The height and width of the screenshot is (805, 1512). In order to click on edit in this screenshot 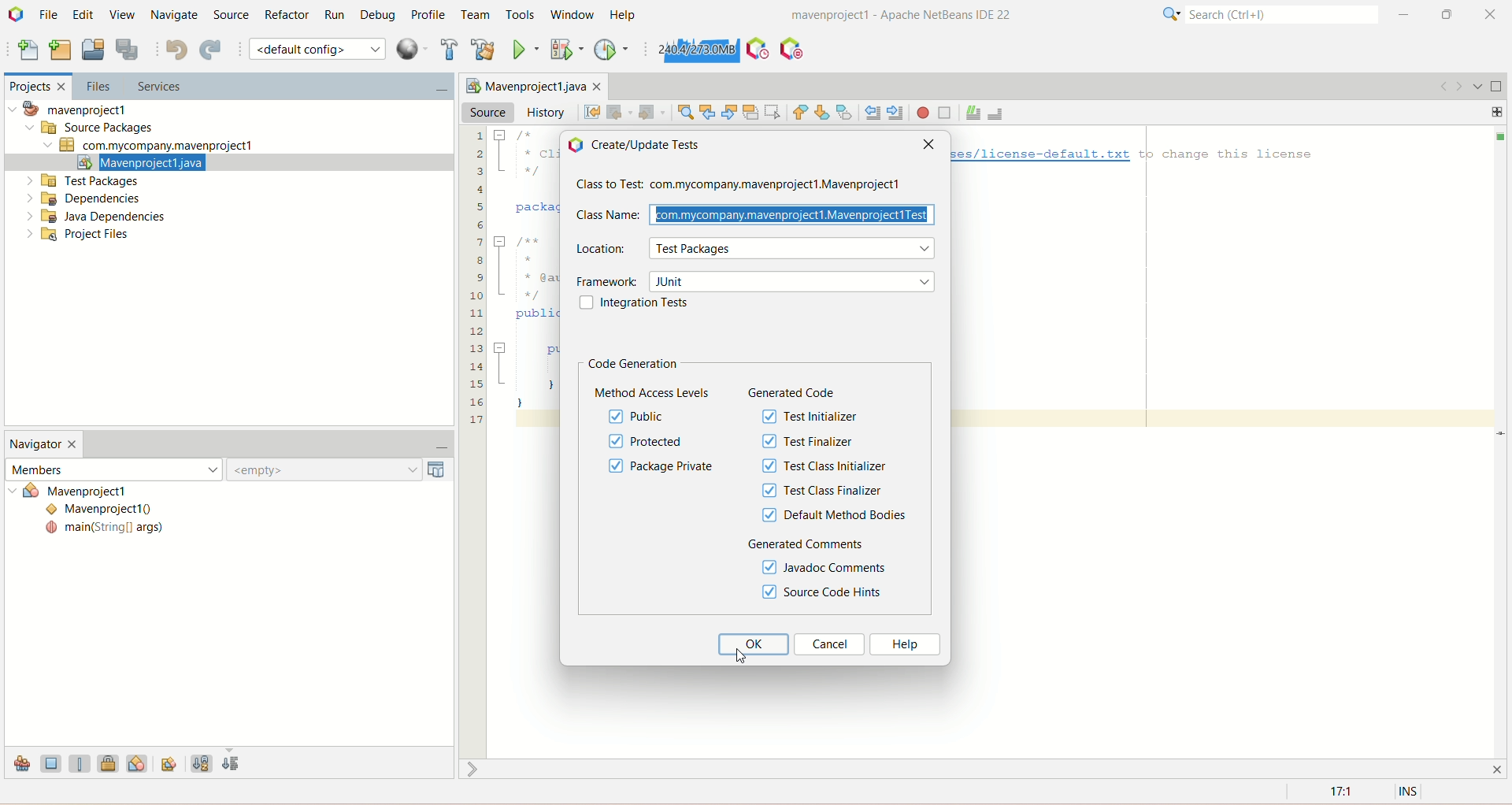, I will do `click(82, 14)`.